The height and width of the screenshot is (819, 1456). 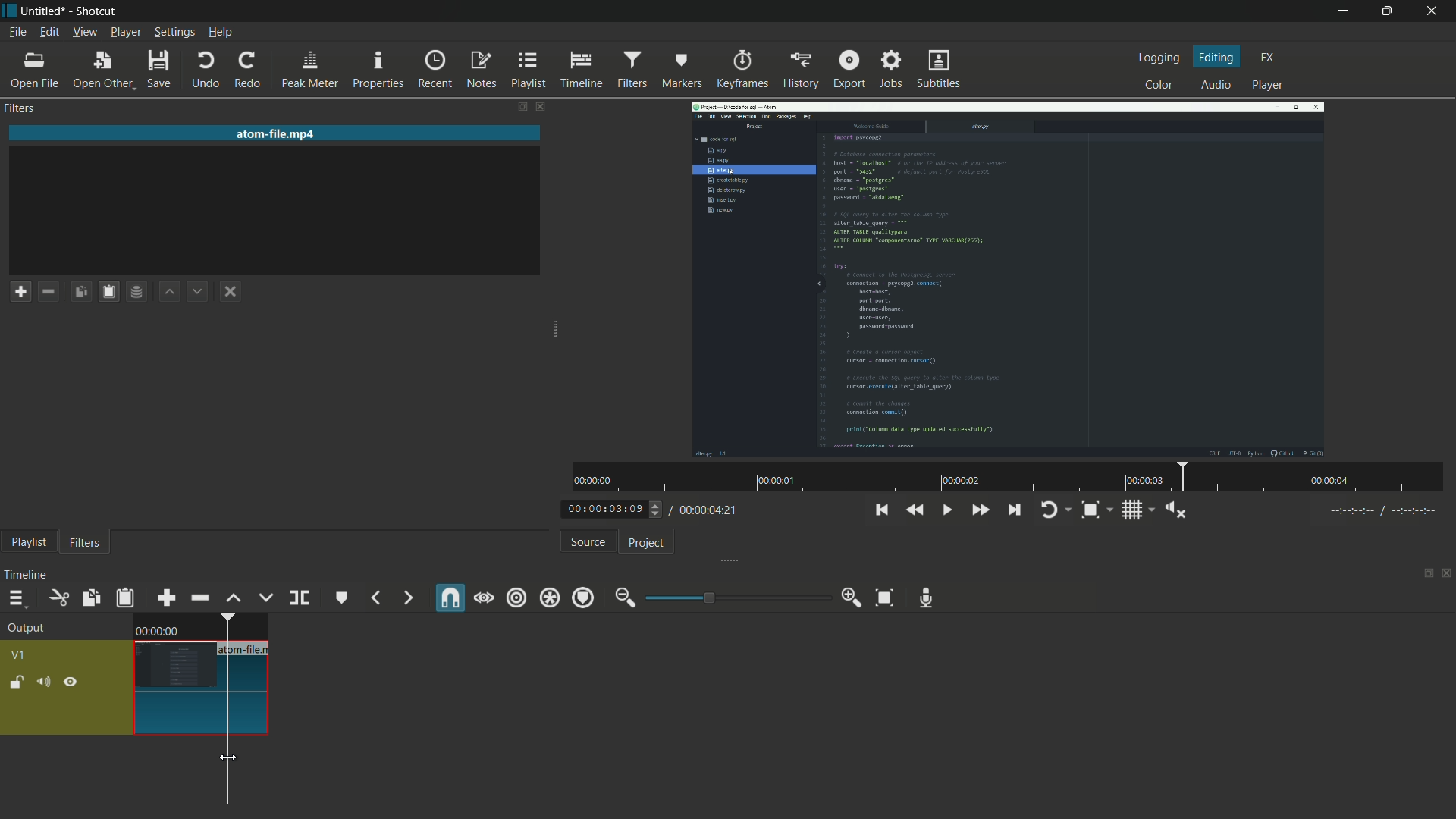 I want to click on copy checked filters, so click(x=80, y=291).